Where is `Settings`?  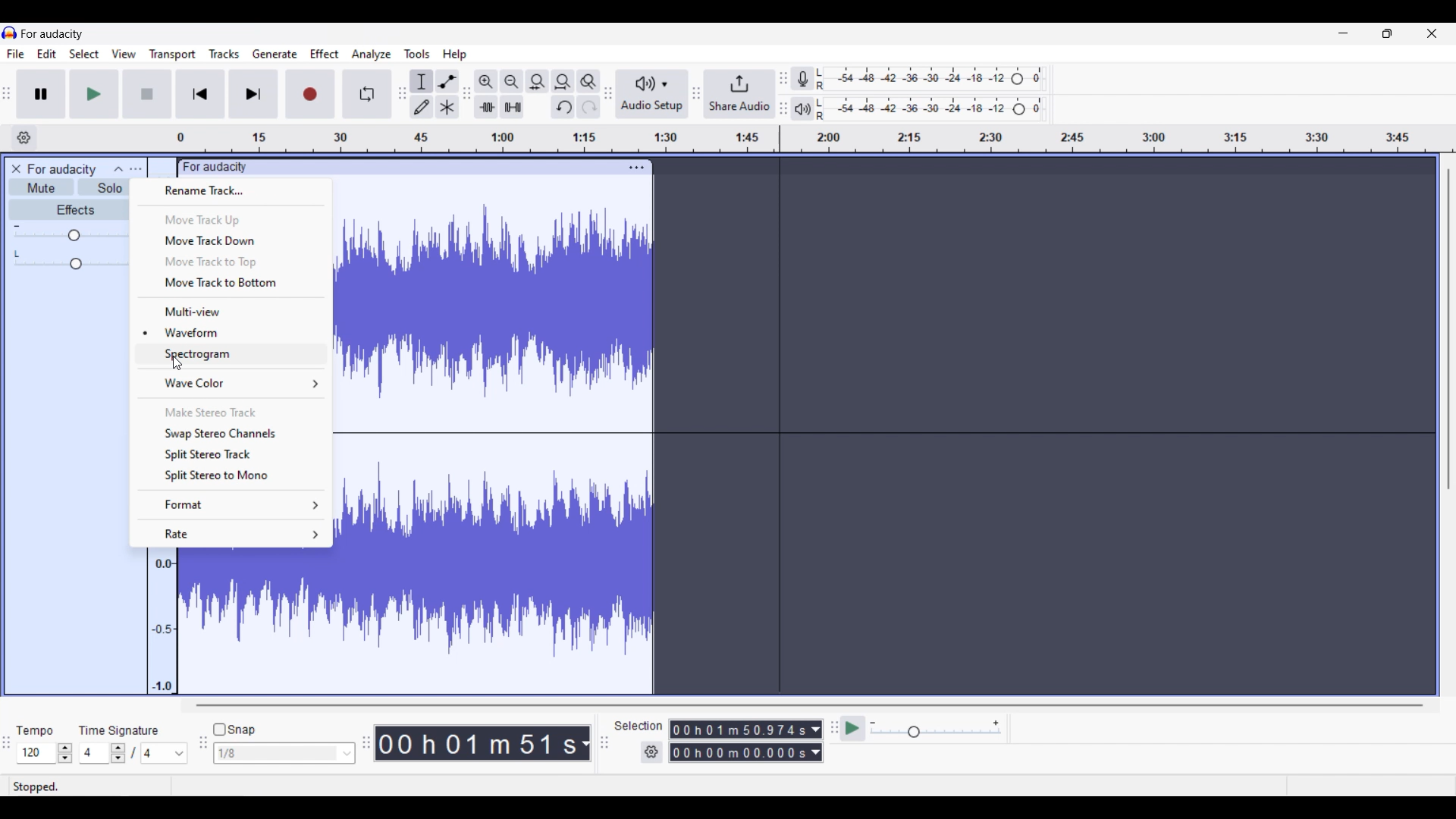 Settings is located at coordinates (652, 752).